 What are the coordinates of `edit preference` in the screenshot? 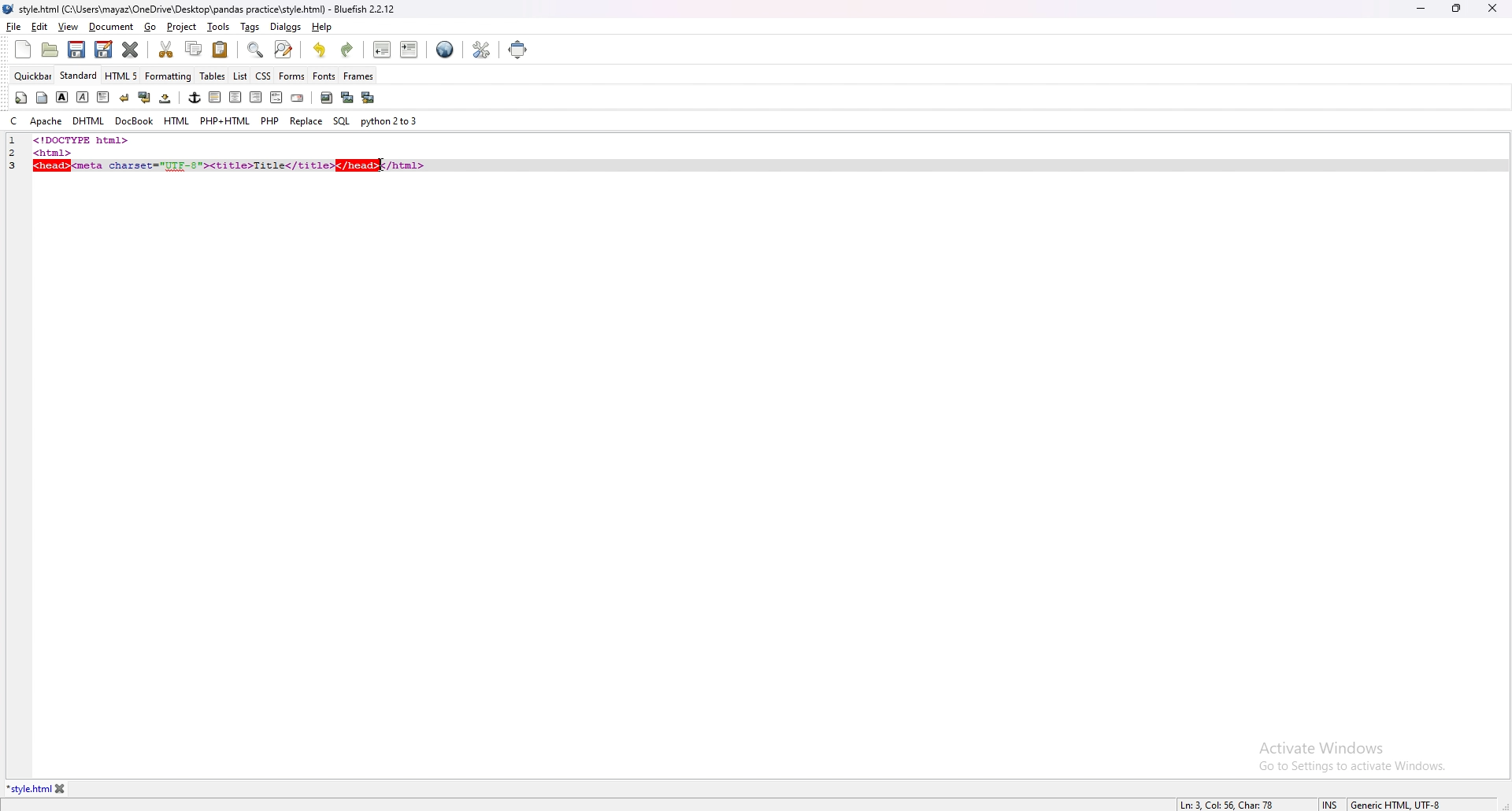 It's located at (480, 49).